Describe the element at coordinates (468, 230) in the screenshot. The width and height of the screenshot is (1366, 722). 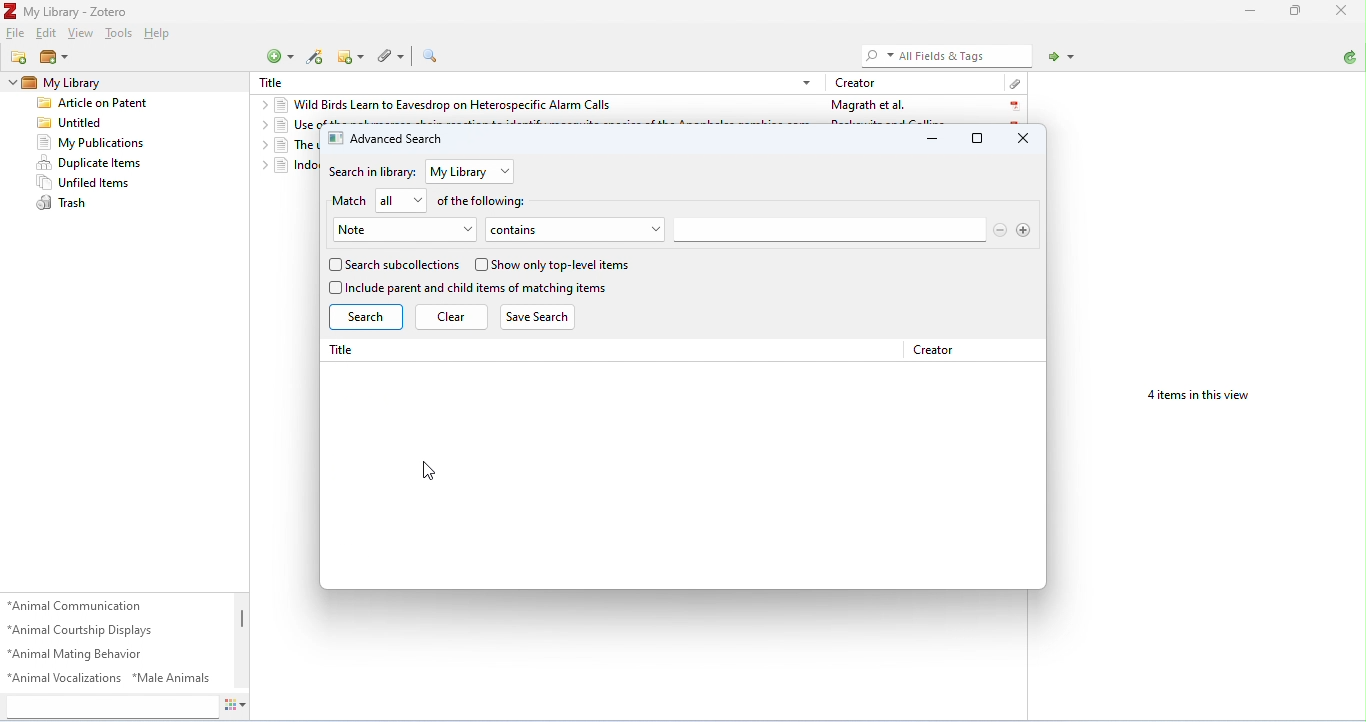
I see `drop-down` at that location.